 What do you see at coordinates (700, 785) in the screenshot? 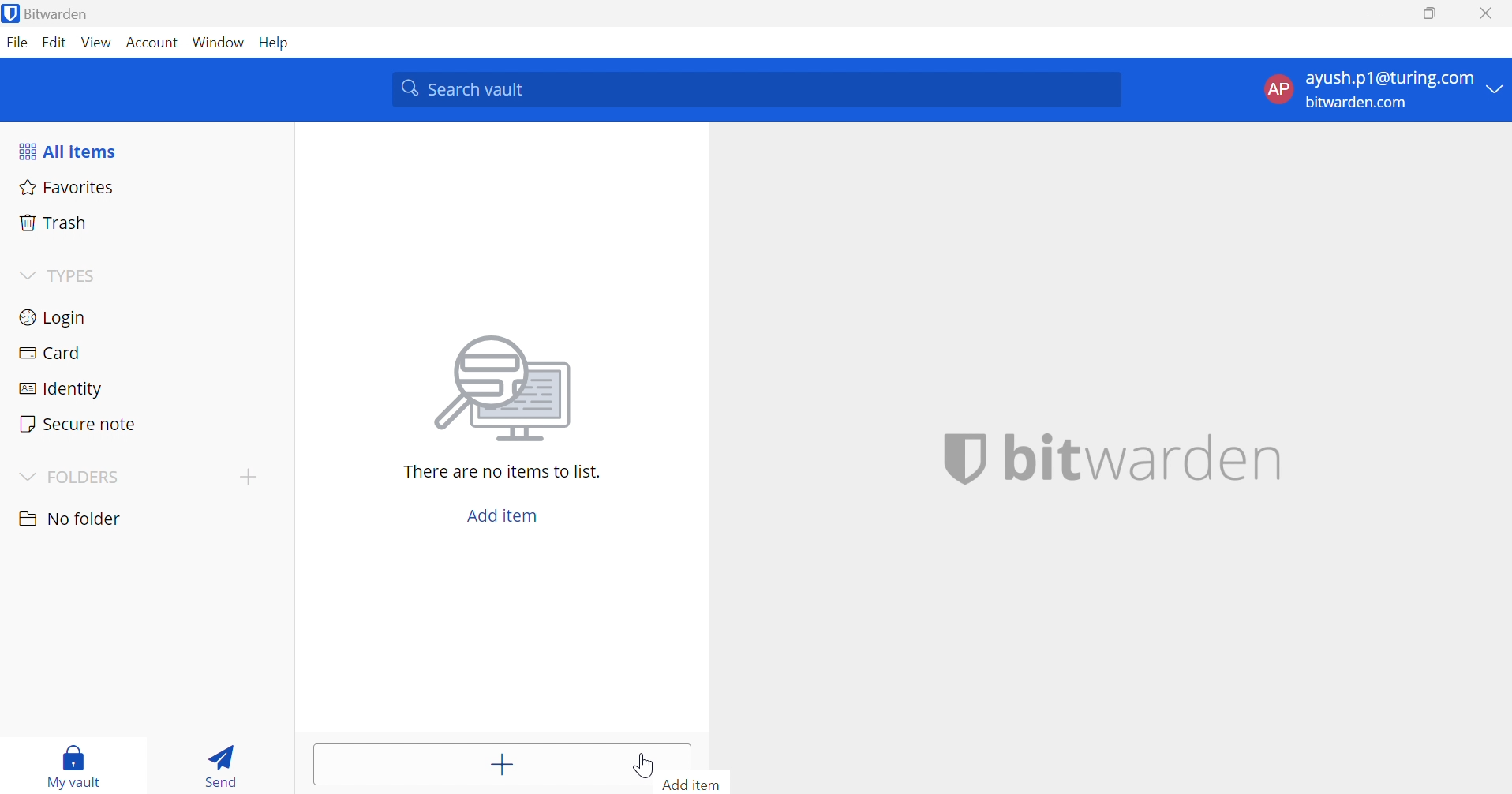
I see `Add item` at bounding box center [700, 785].